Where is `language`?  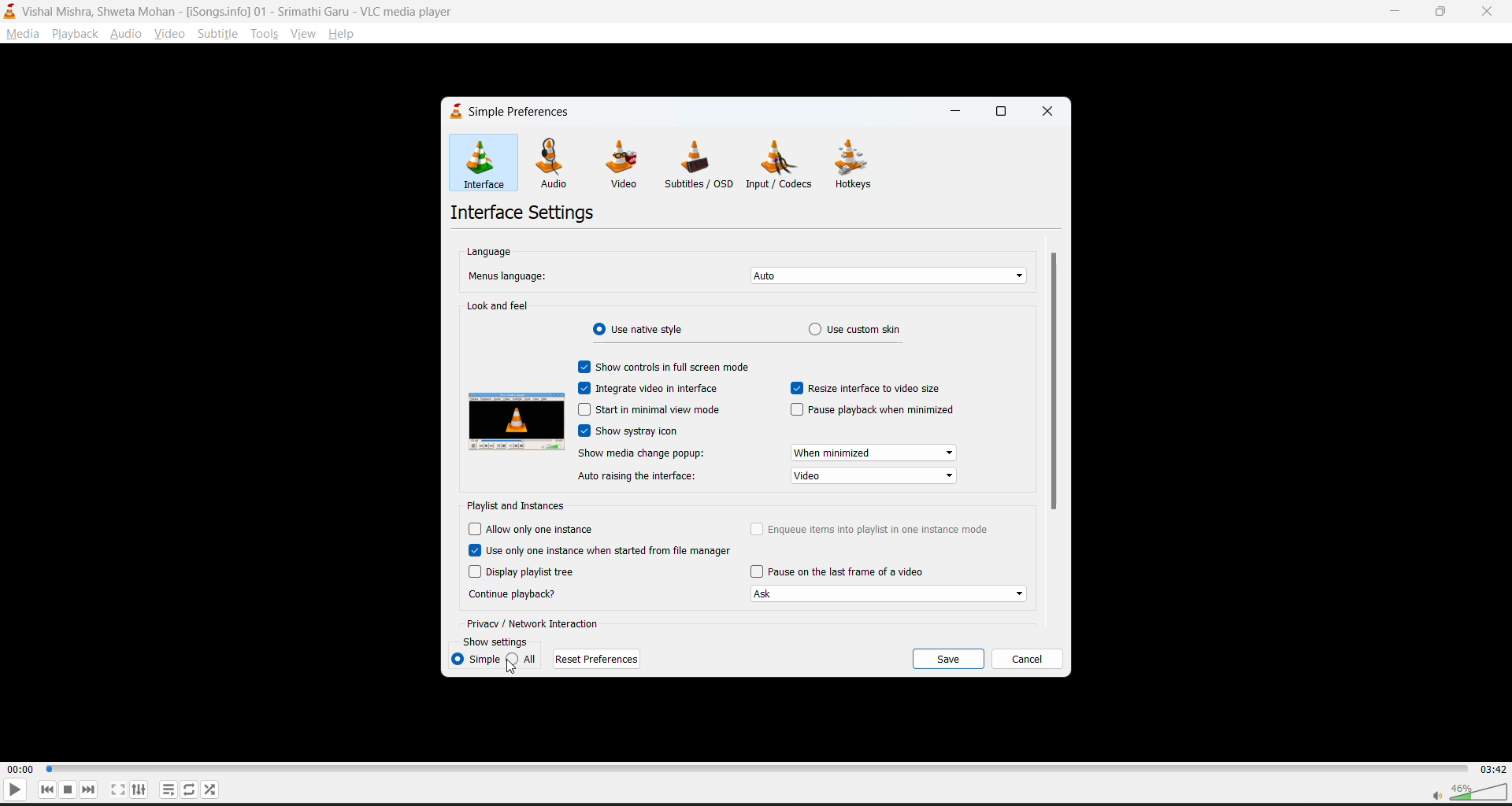 language is located at coordinates (491, 252).